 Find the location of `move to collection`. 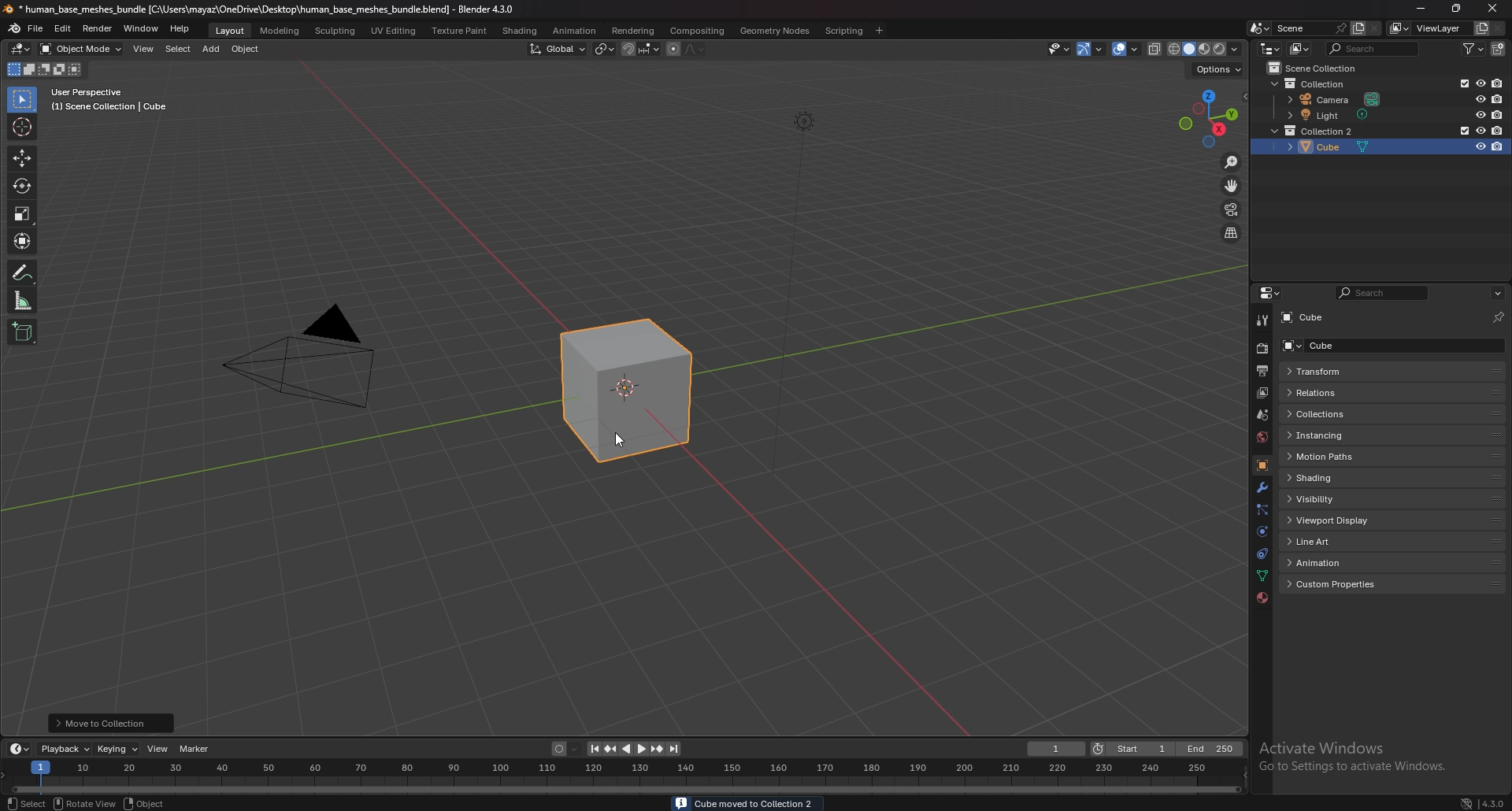

move to collection is located at coordinates (110, 722).